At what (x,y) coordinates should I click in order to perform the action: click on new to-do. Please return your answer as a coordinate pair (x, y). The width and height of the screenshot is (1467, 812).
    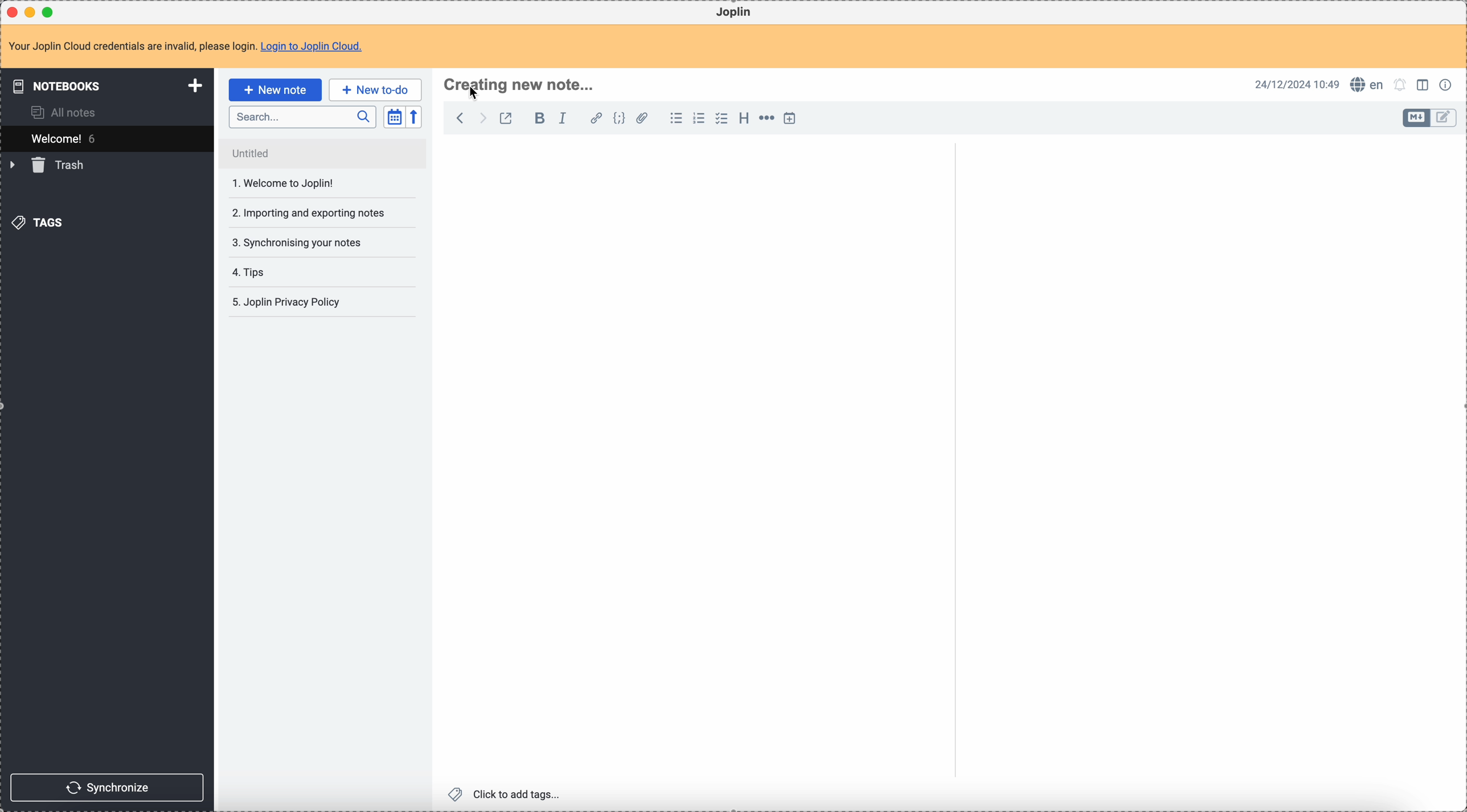
    Looking at the image, I should click on (375, 89).